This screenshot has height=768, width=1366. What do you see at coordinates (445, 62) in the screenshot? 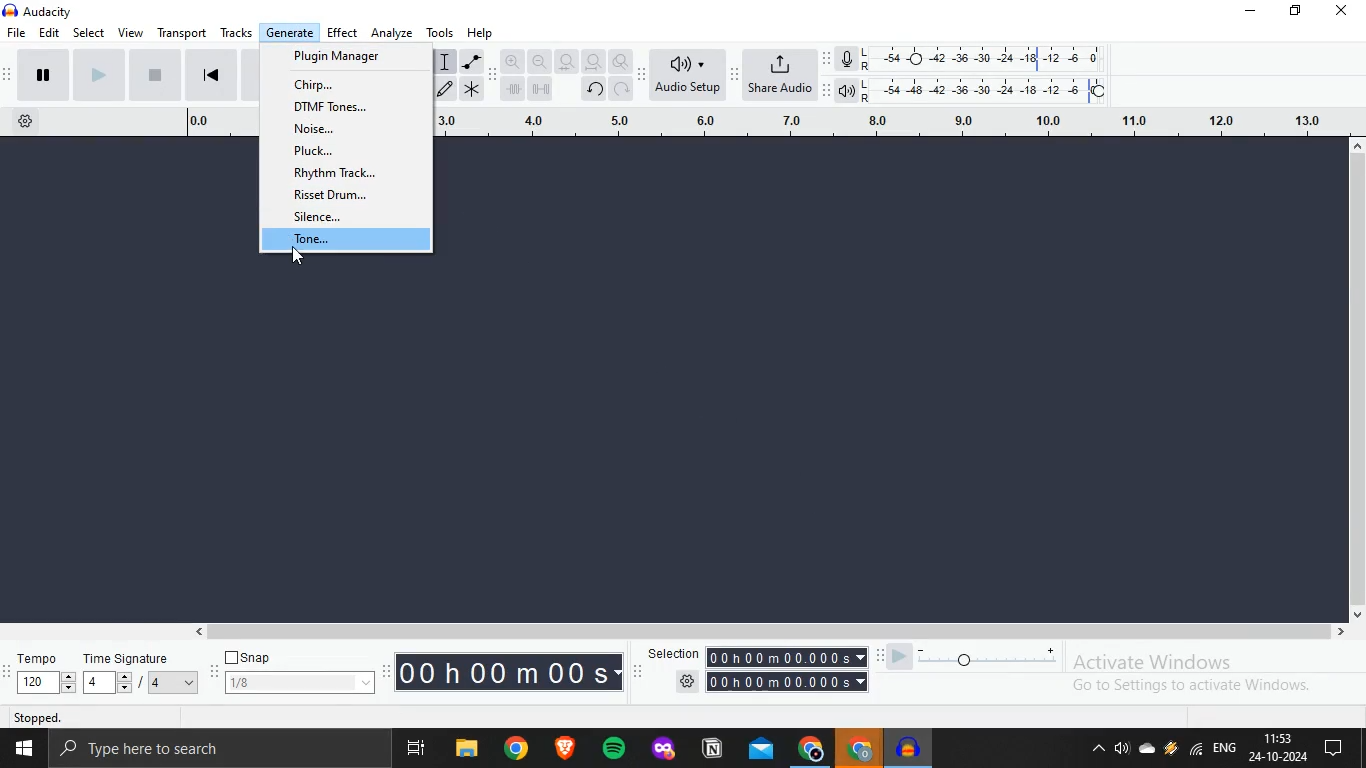
I see `Typing` at bounding box center [445, 62].